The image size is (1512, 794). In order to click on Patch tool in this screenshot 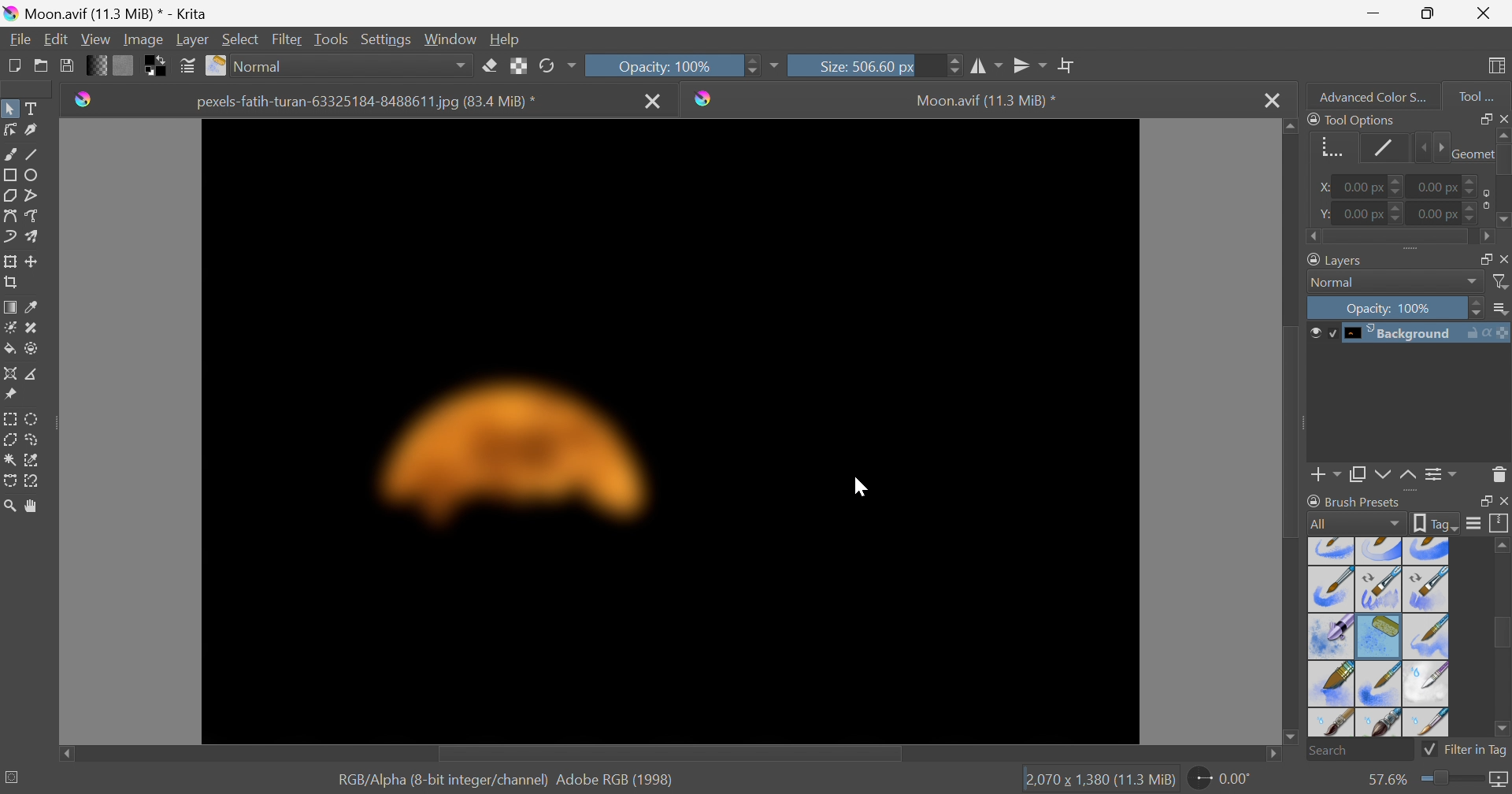, I will do `click(31, 328)`.